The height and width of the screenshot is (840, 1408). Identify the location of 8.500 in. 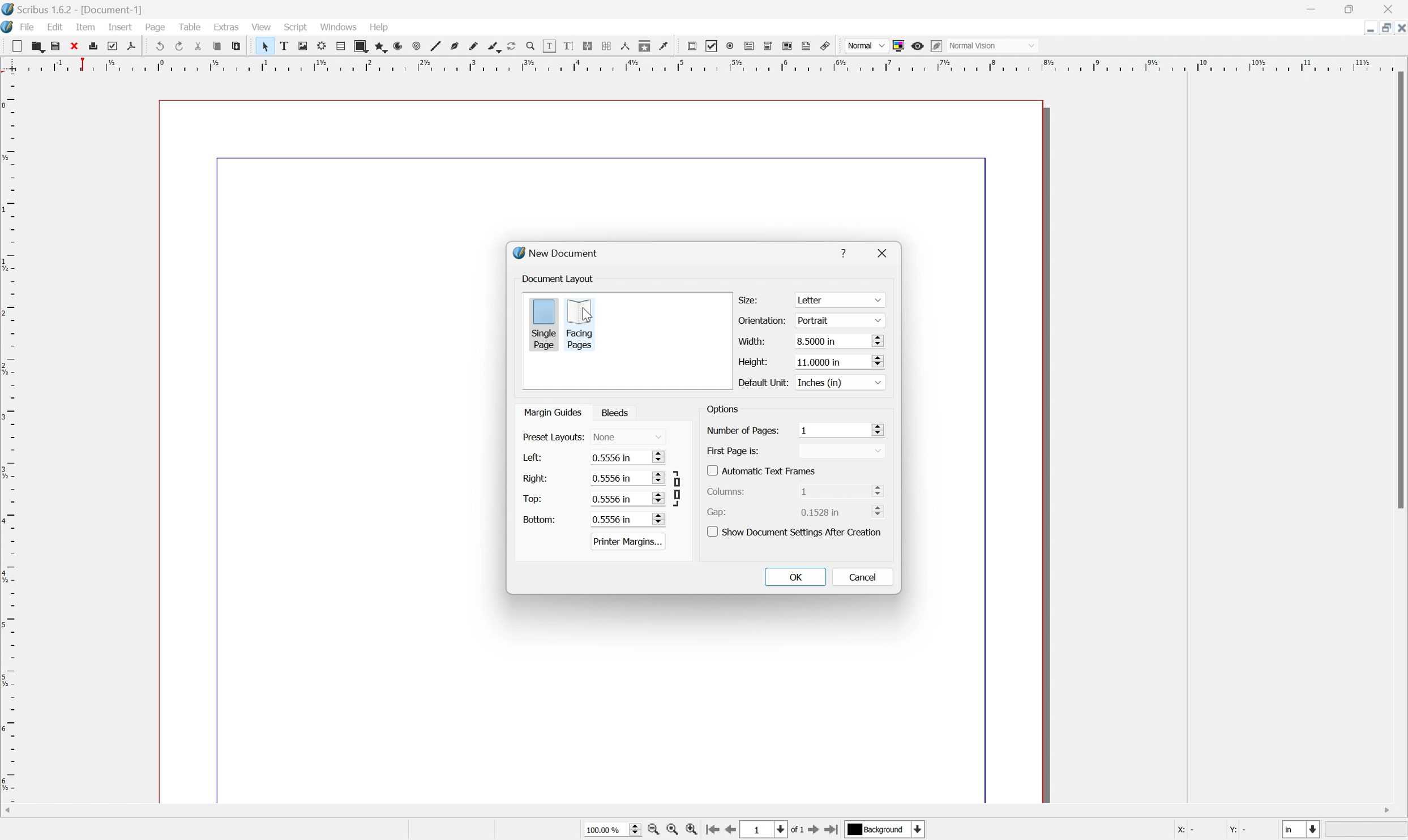
(839, 342).